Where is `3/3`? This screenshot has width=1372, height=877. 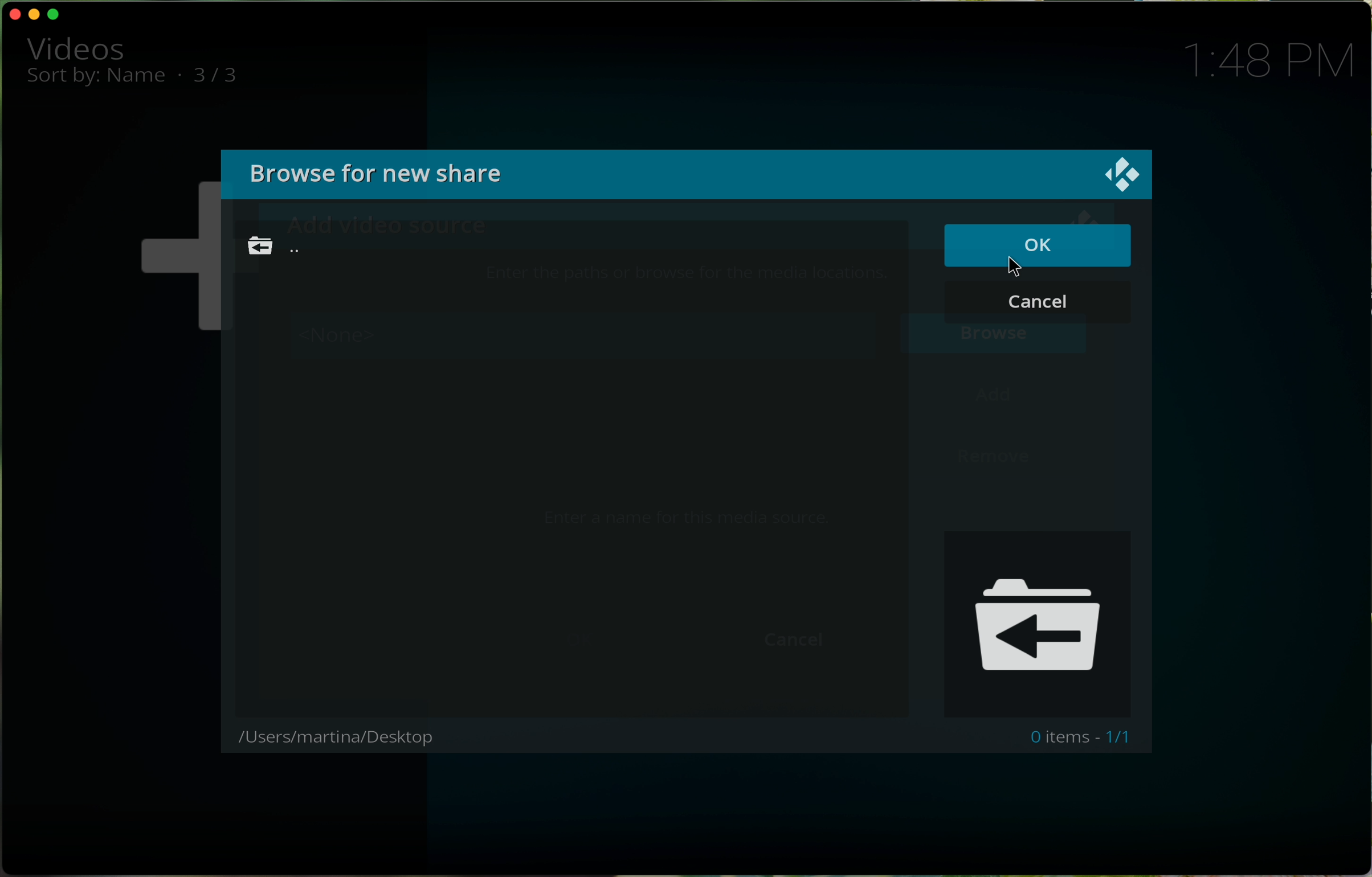 3/3 is located at coordinates (225, 76).